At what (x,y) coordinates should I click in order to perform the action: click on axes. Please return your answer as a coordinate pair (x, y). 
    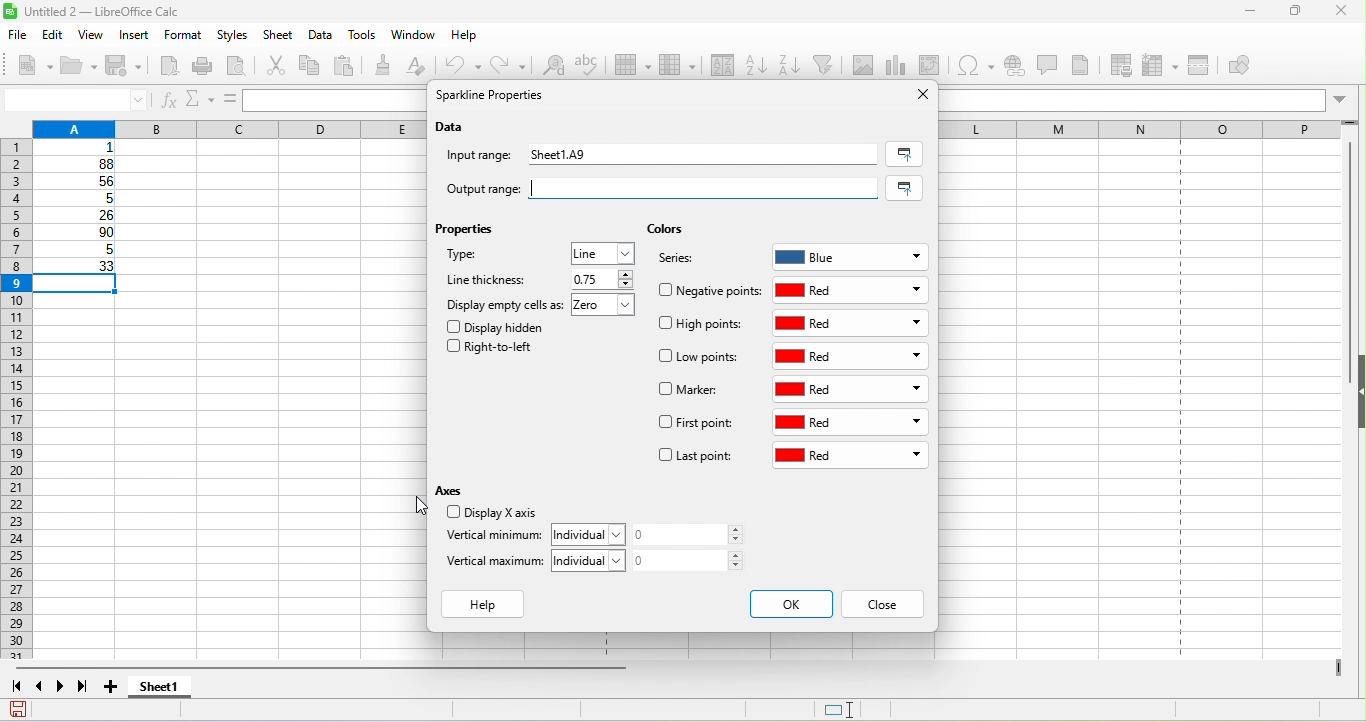
    Looking at the image, I should click on (453, 490).